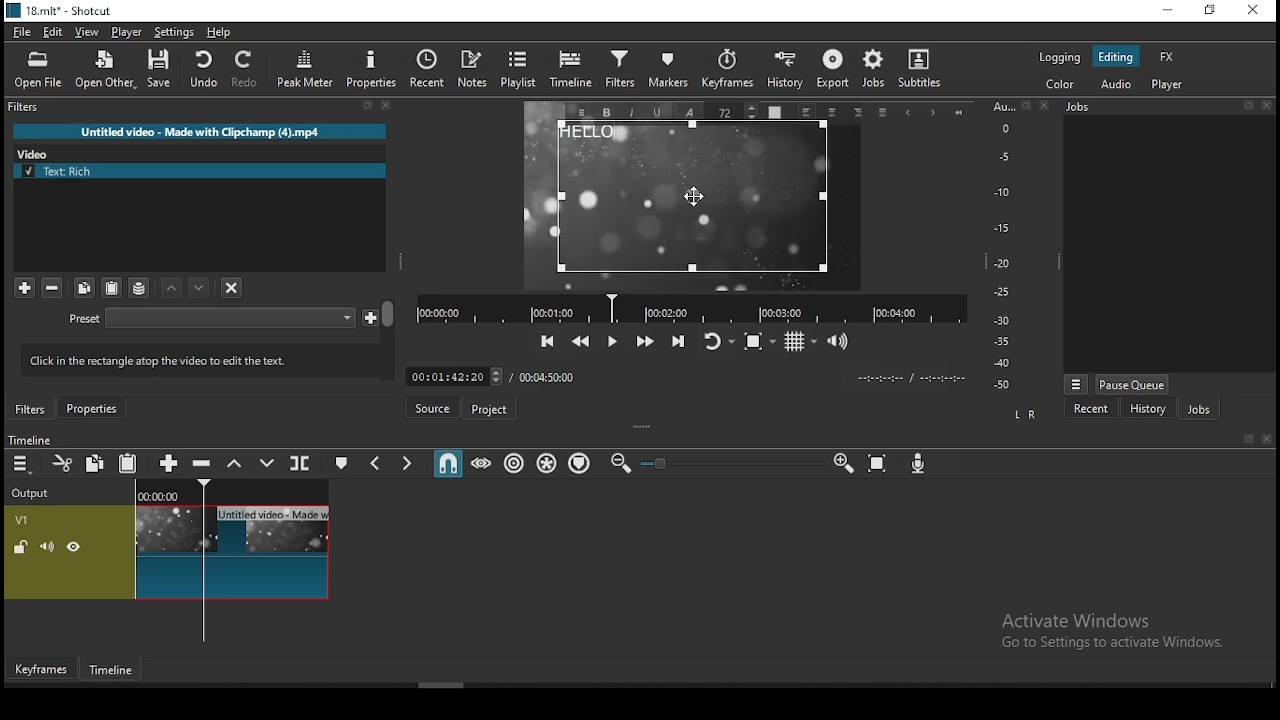 The height and width of the screenshot is (720, 1280). Describe the element at coordinates (606, 113) in the screenshot. I see `Bold` at that location.